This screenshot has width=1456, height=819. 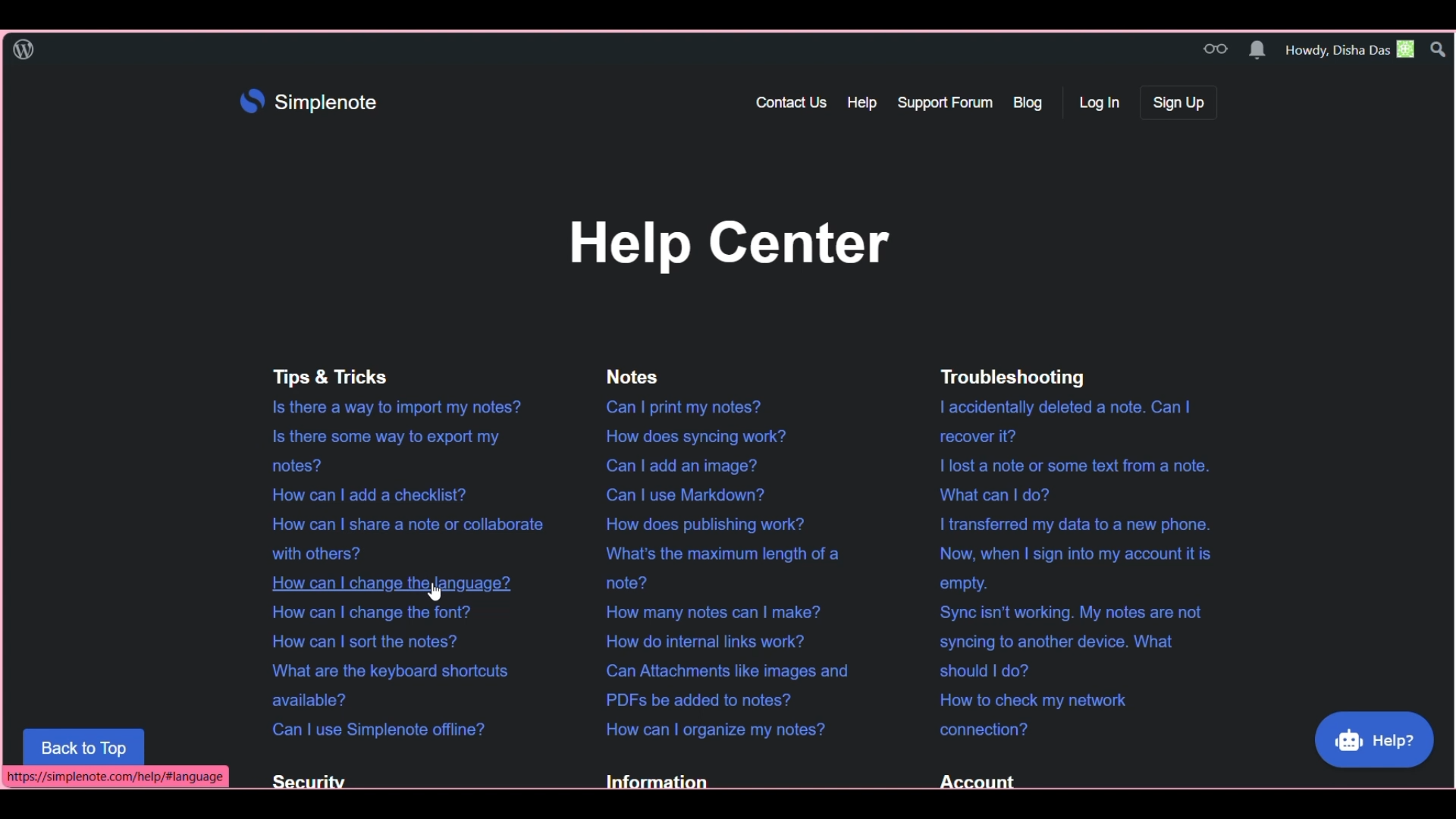 What do you see at coordinates (253, 101) in the screenshot?
I see `Software logo` at bounding box center [253, 101].